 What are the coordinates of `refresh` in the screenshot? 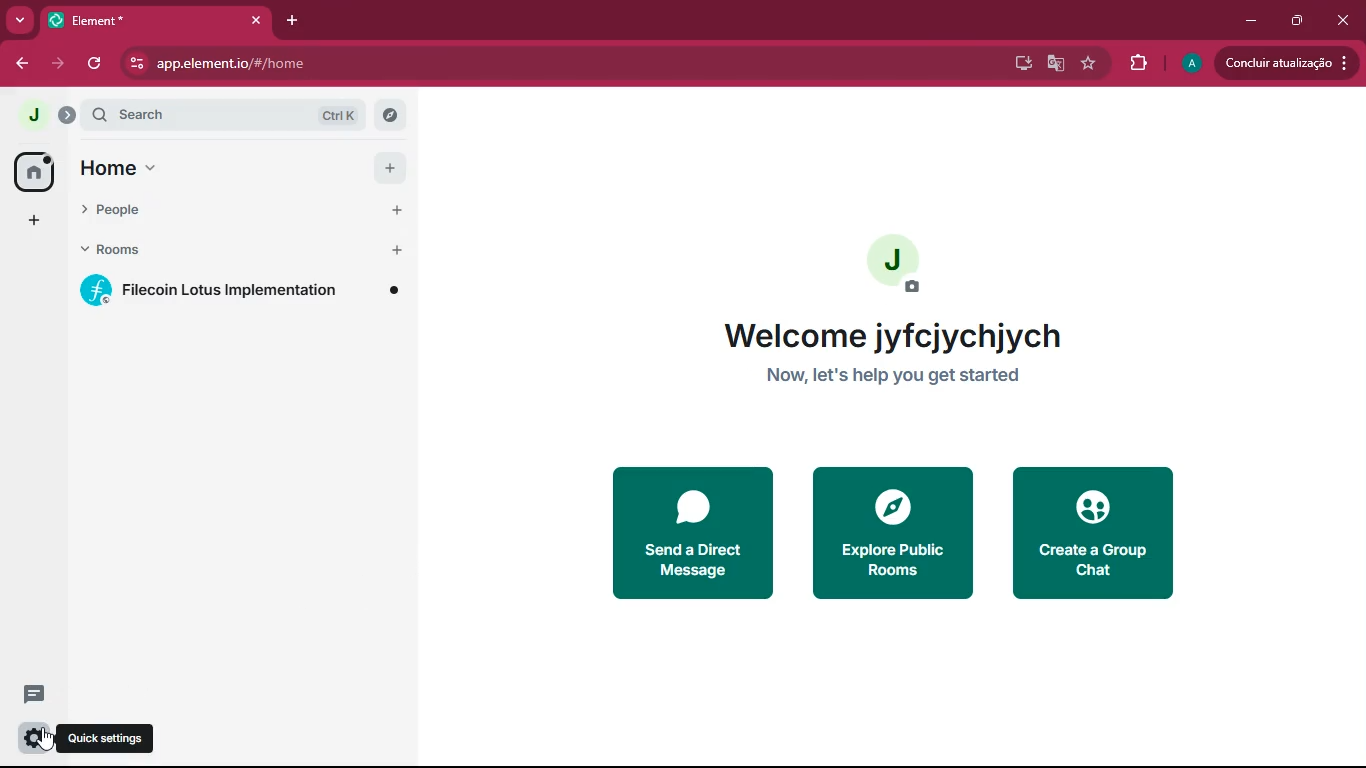 It's located at (92, 65).